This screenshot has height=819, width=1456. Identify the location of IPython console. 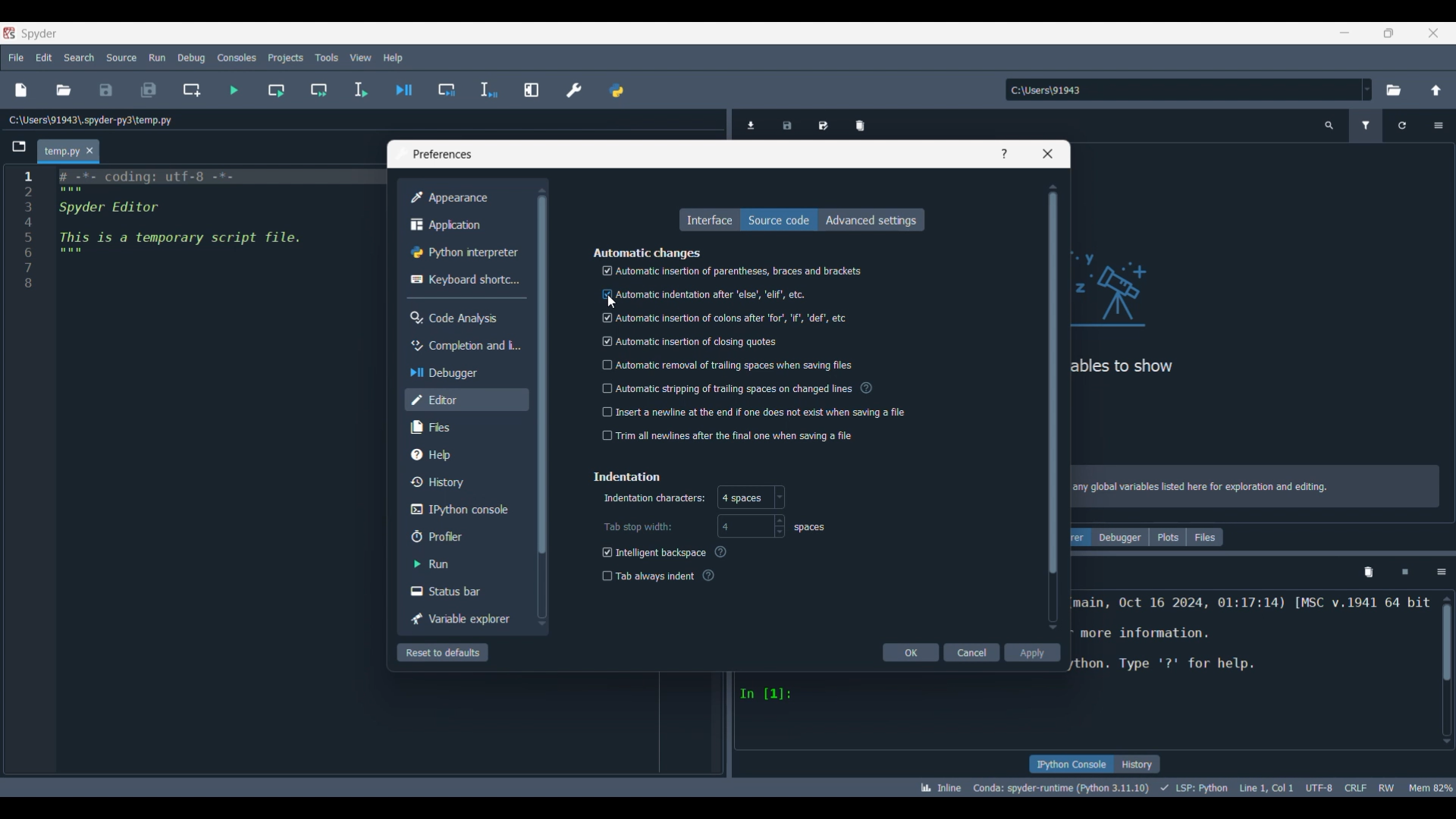
(466, 510).